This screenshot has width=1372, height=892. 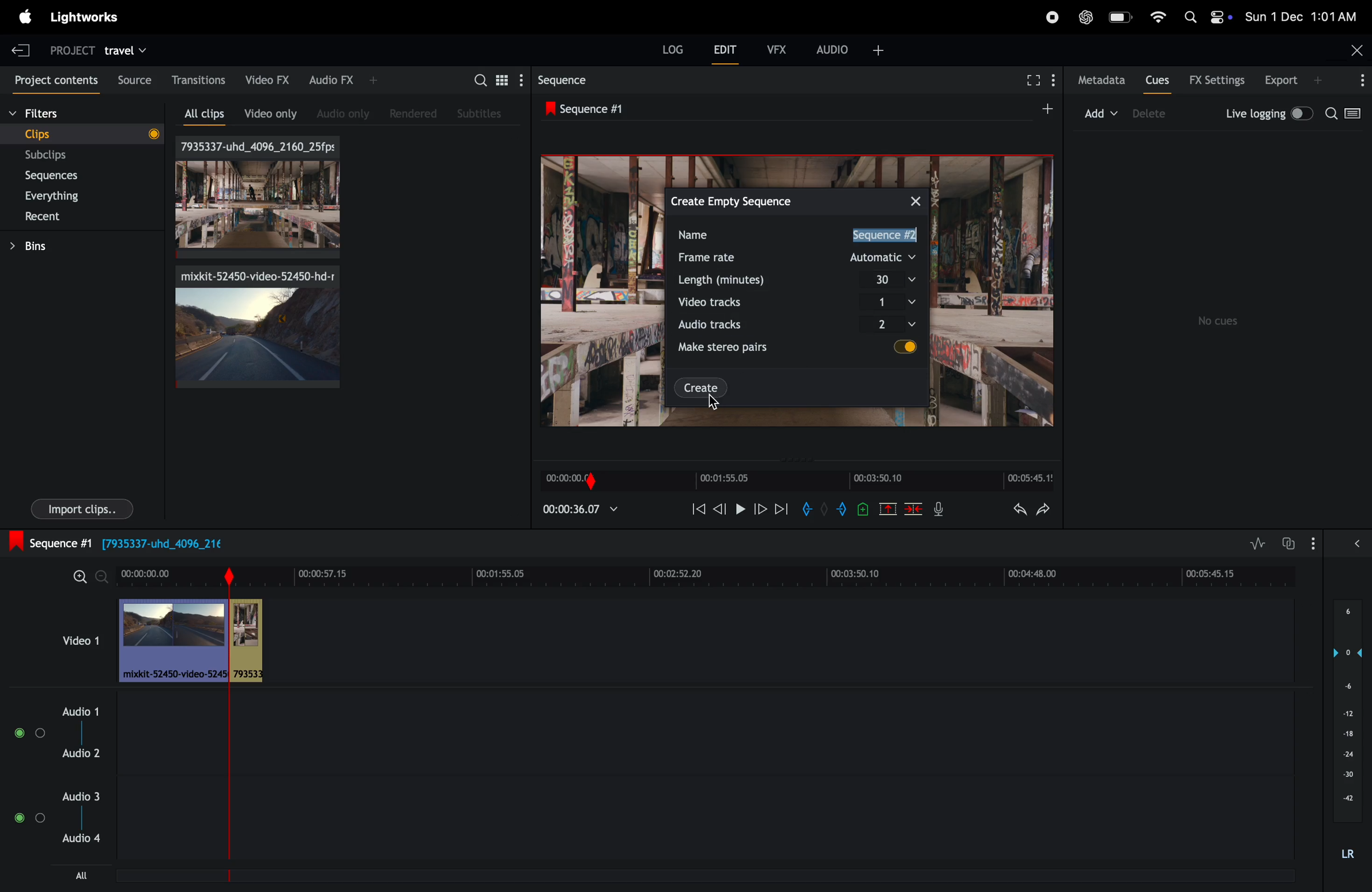 I want to click on add cue to current position, so click(x=863, y=512).